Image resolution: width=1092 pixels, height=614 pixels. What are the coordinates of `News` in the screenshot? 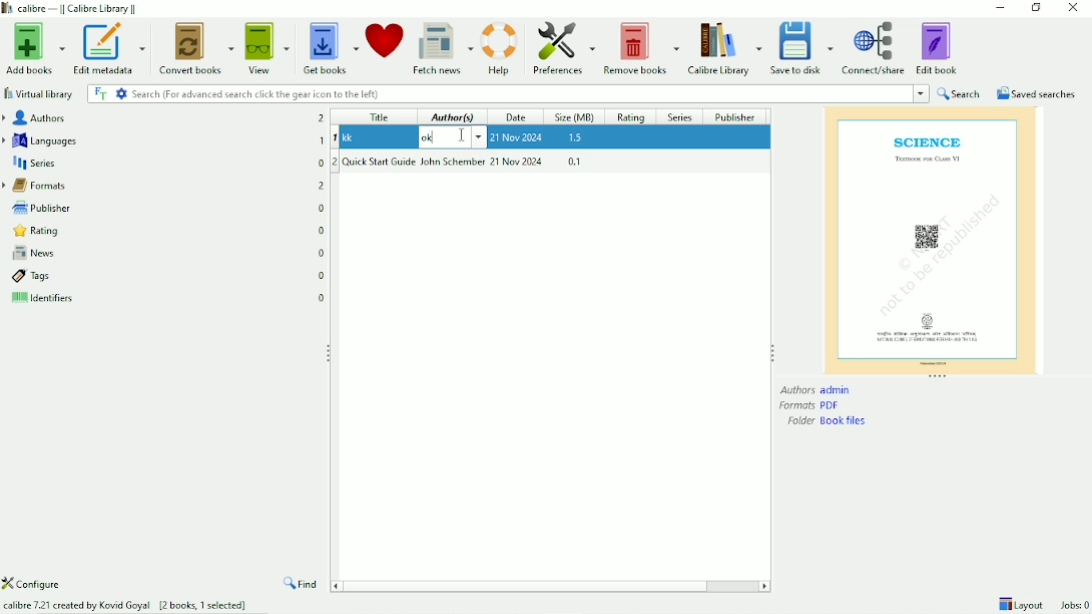 It's located at (166, 254).